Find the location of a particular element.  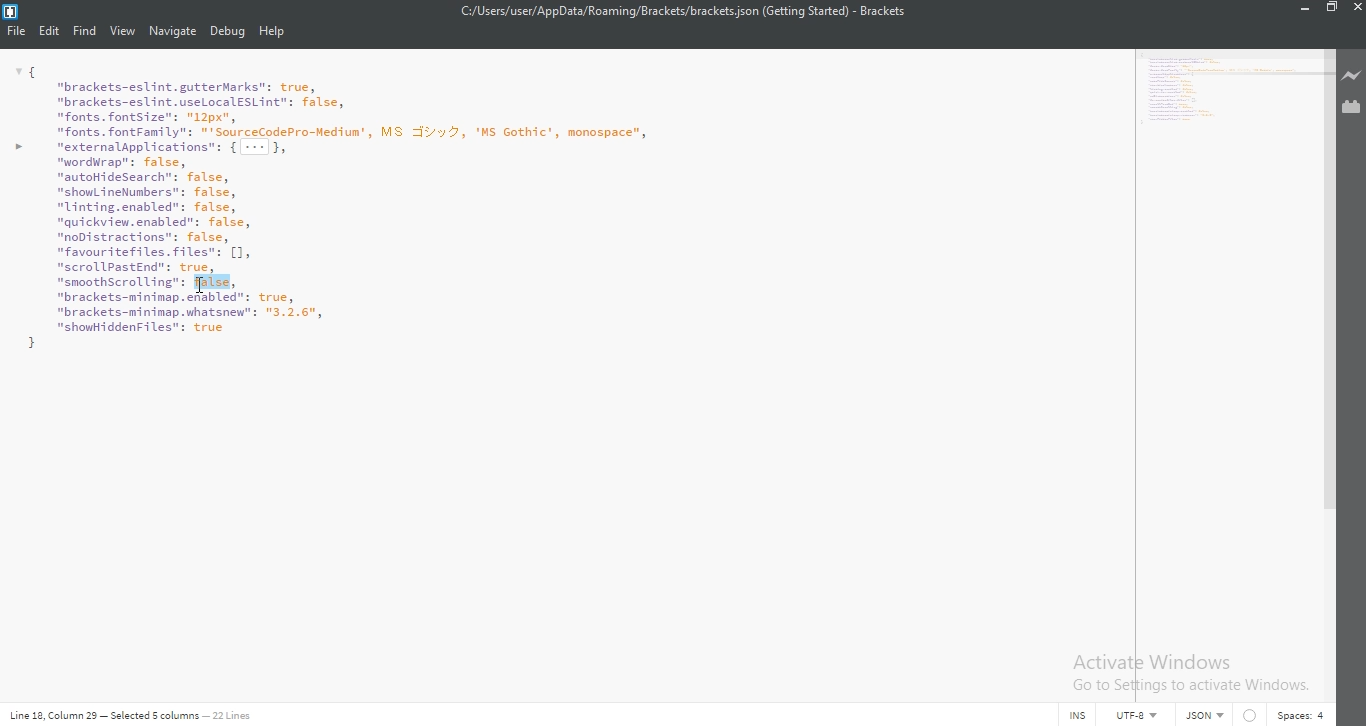

Edit is located at coordinates (49, 32).